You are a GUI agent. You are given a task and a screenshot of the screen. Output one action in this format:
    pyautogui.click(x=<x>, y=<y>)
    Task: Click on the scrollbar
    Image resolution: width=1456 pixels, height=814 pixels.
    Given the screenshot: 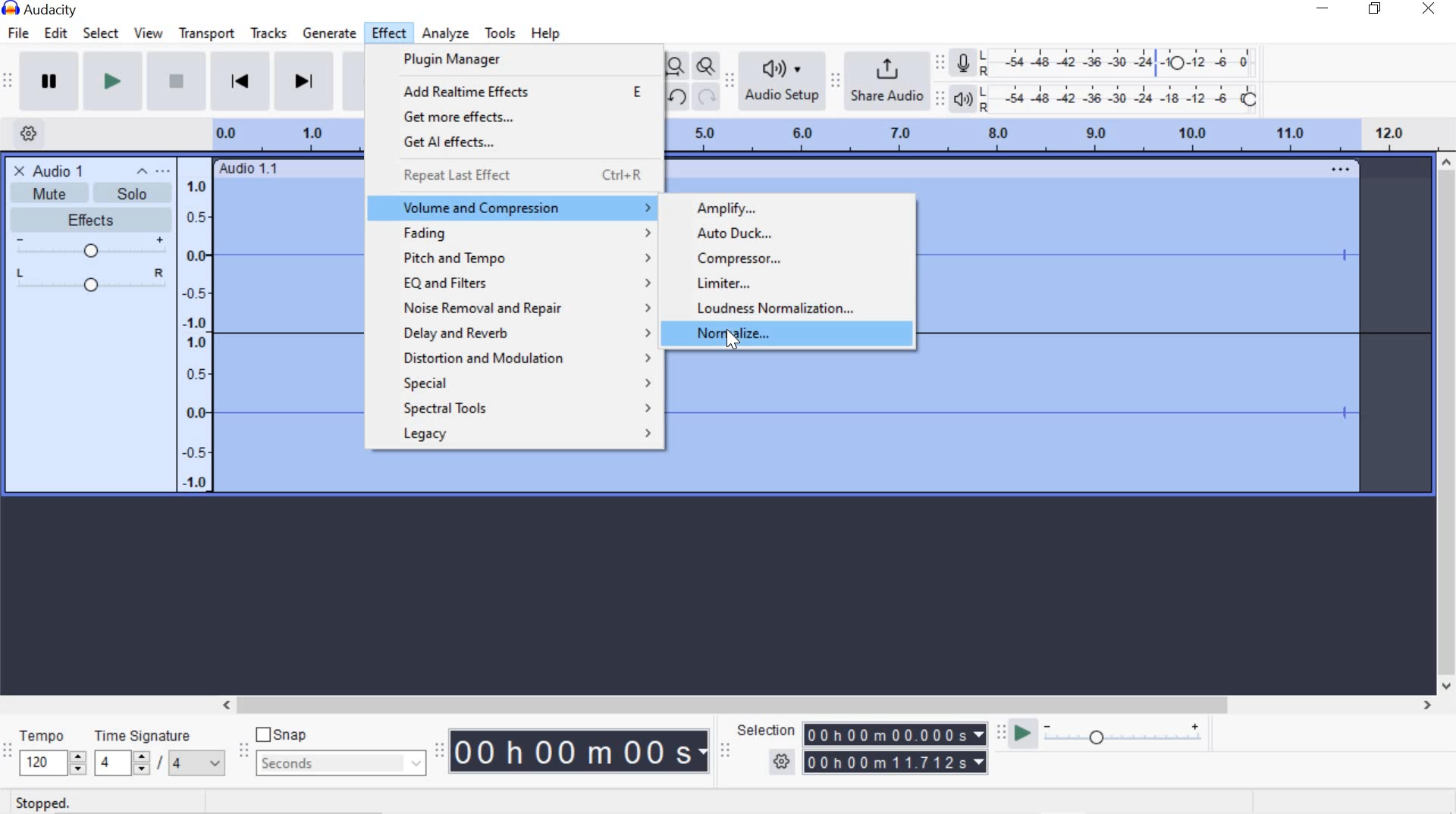 What is the action you would take?
    pyautogui.click(x=1447, y=424)
    